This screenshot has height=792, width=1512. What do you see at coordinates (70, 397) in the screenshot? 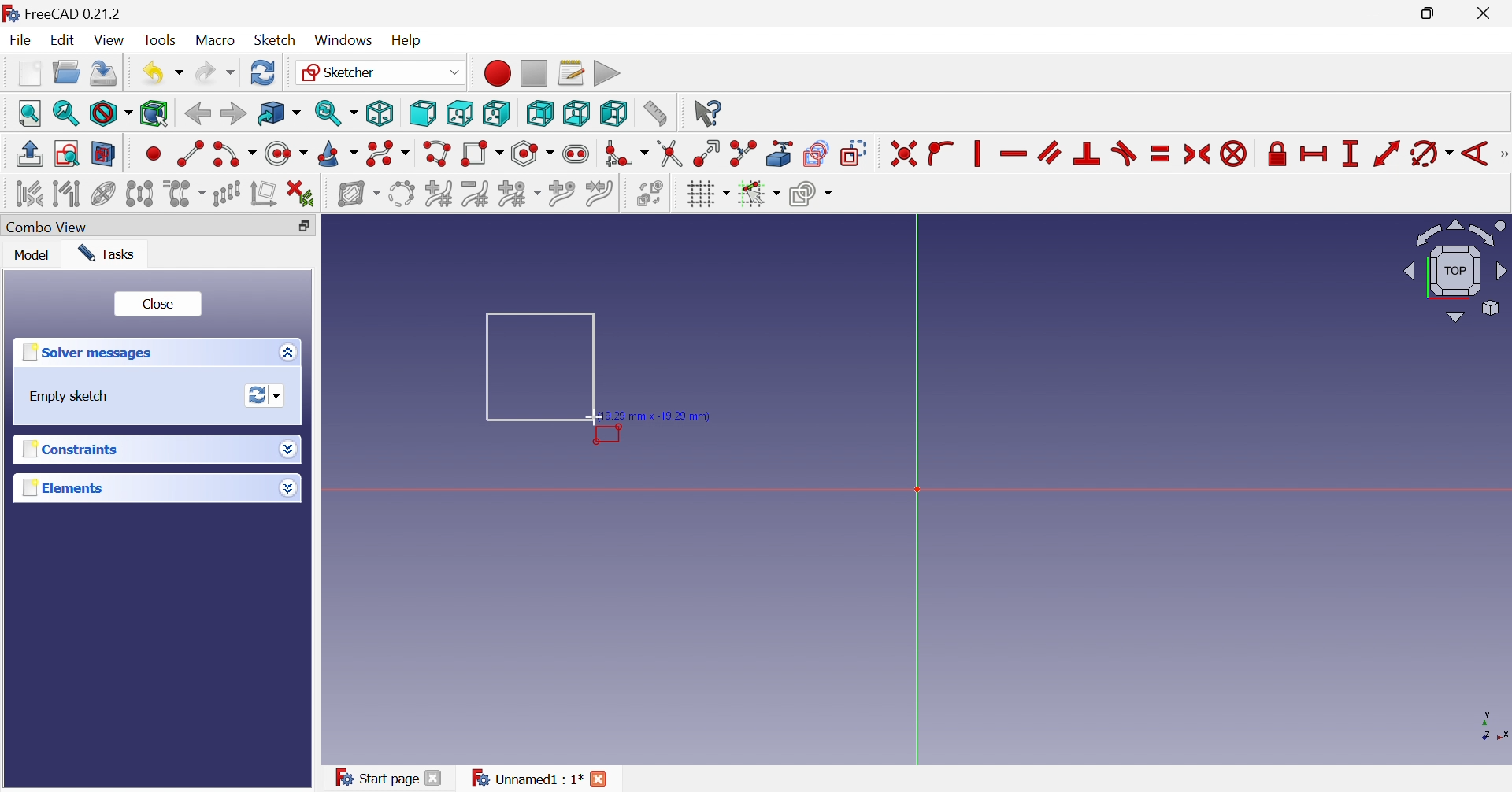
I see `Empty sketch` at bounding box center [70, 397].